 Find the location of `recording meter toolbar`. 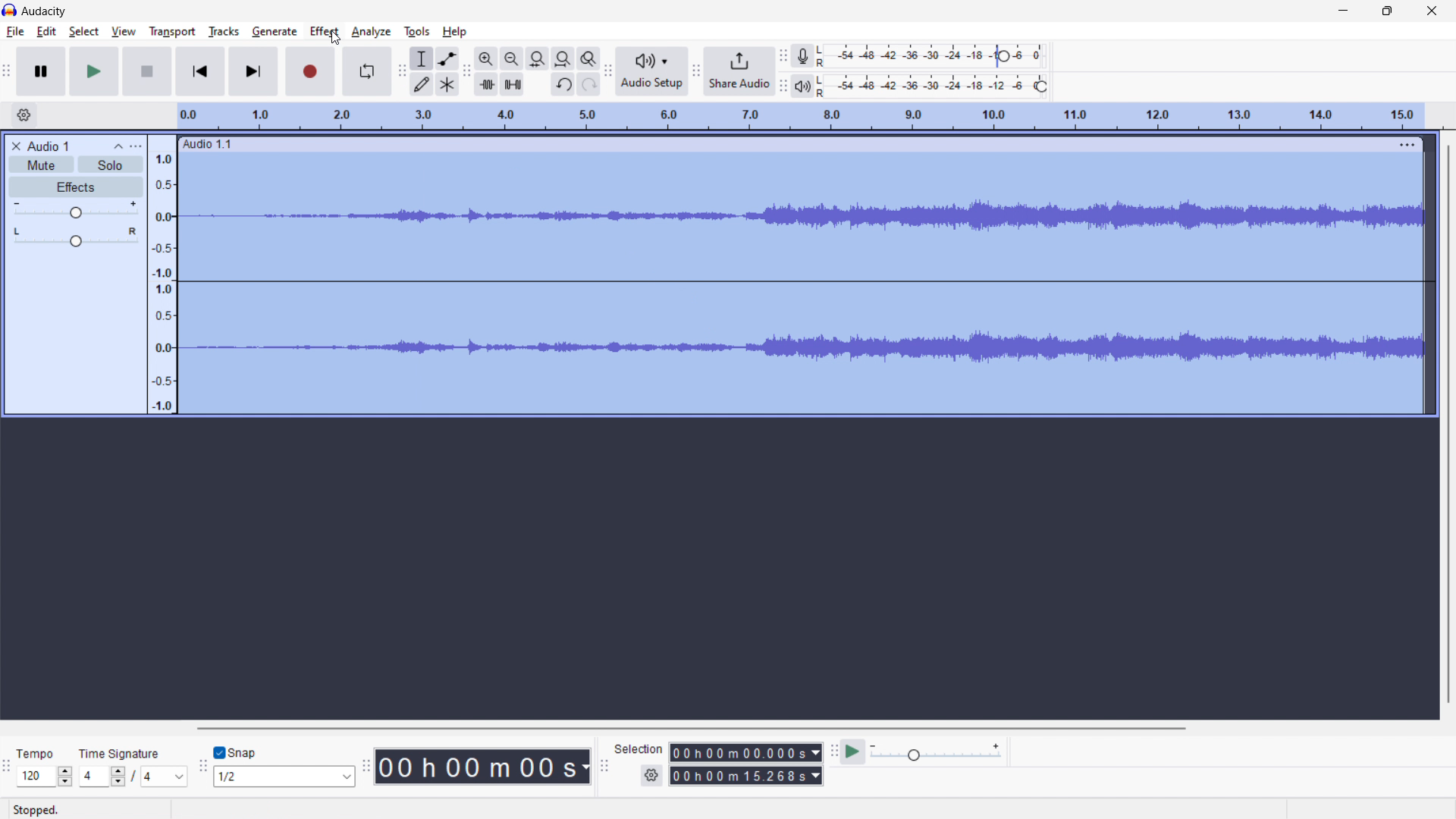

recording meter toolbar is located at coordinates (783, 56).